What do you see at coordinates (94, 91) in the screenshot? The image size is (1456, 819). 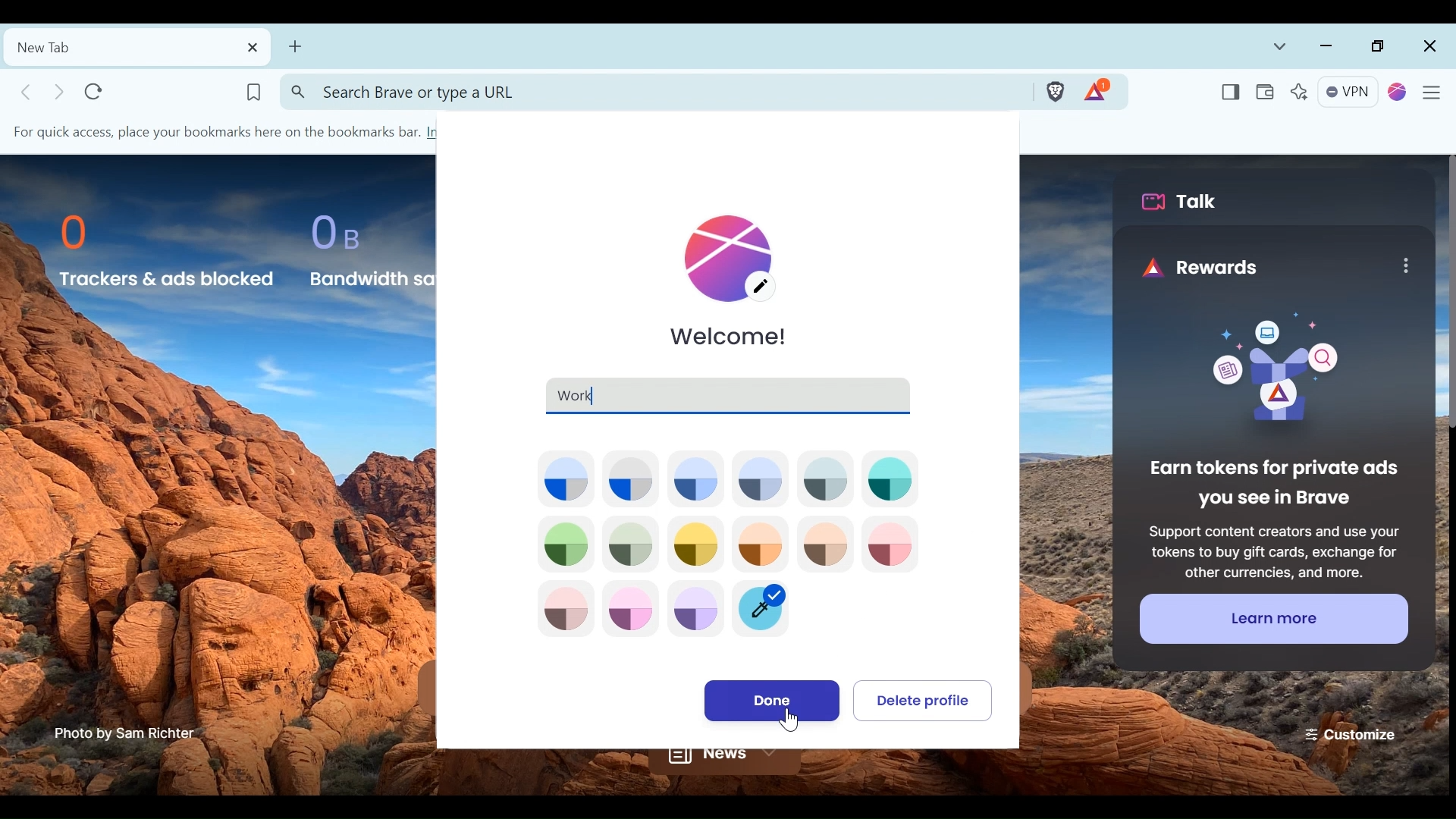 I see `Reload this page` at bounding box center [94, 91].